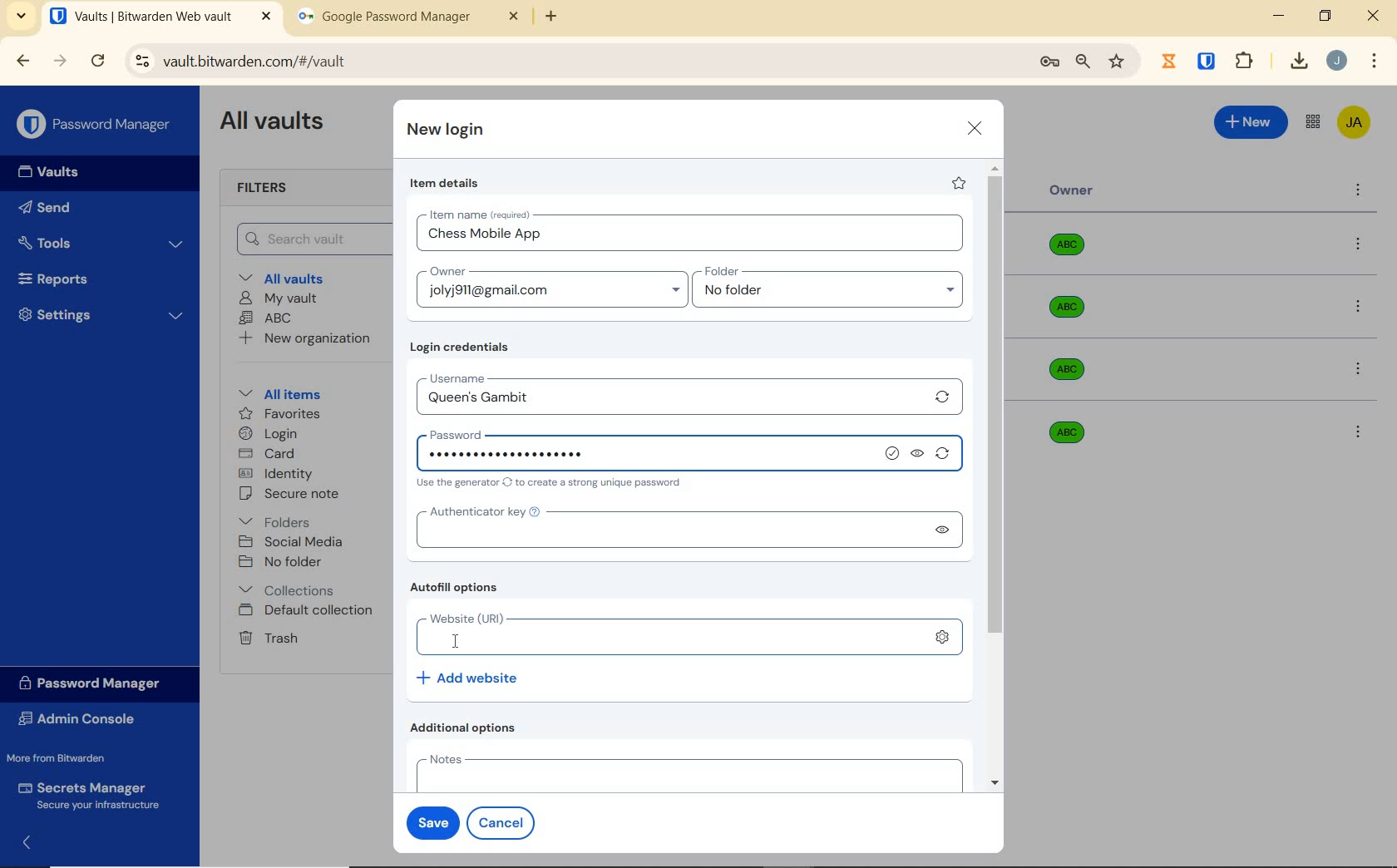 This screenshot has width=1397, height=868. I want to click on option, so click(1357, 431).